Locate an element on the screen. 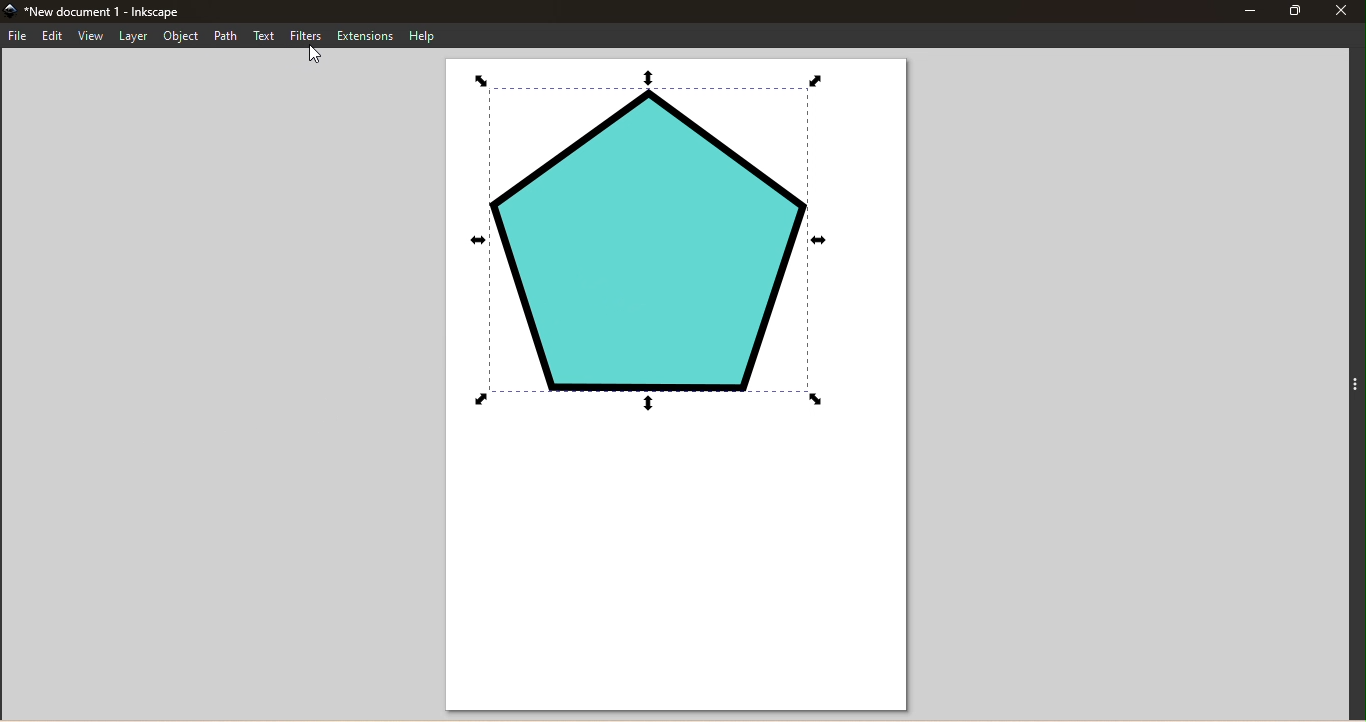 The height and width of the screenshot is (722, 1366). View is located at coordinates (89, 36).